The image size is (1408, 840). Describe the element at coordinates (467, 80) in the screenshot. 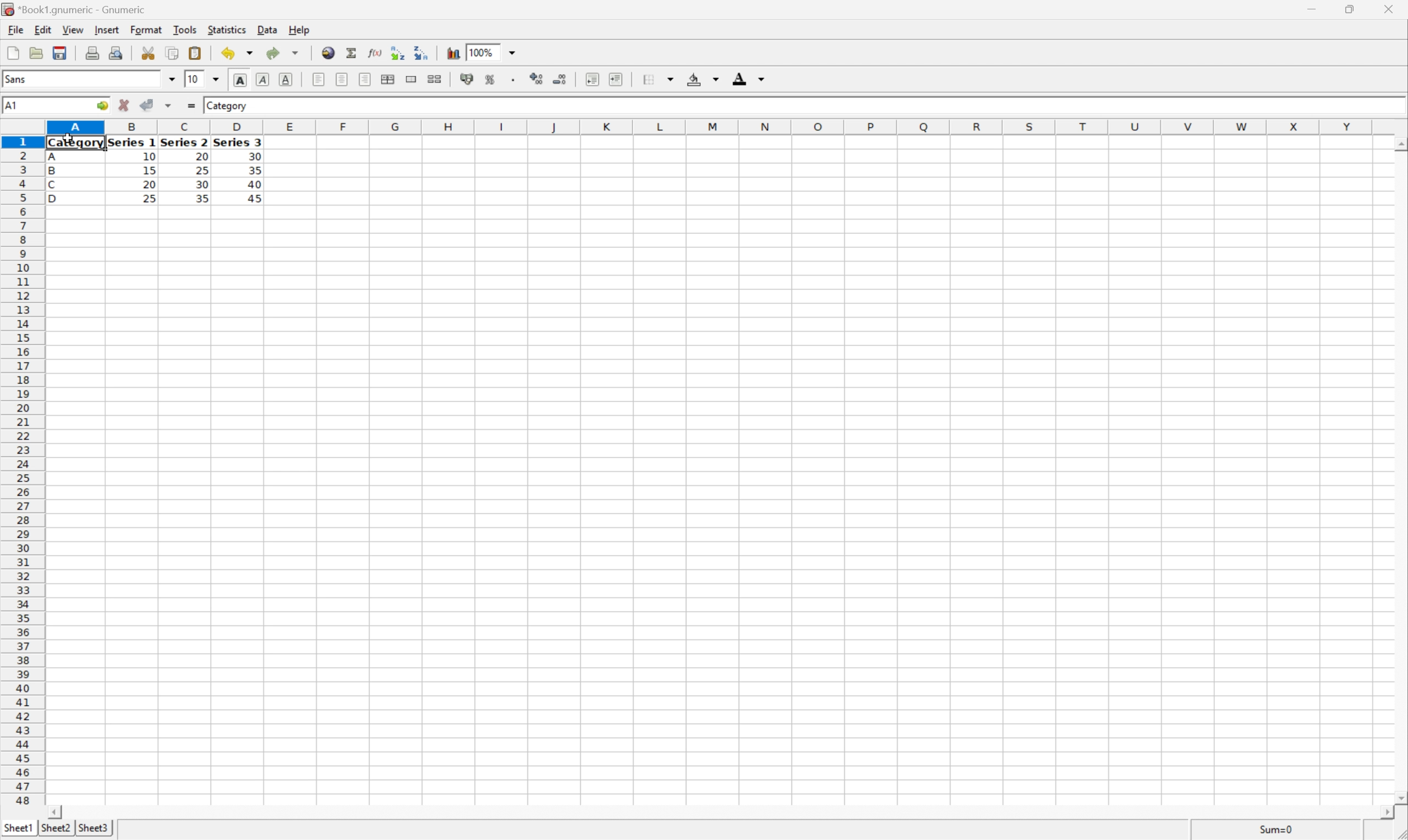

I see `Format the selection as accounting` at that location.